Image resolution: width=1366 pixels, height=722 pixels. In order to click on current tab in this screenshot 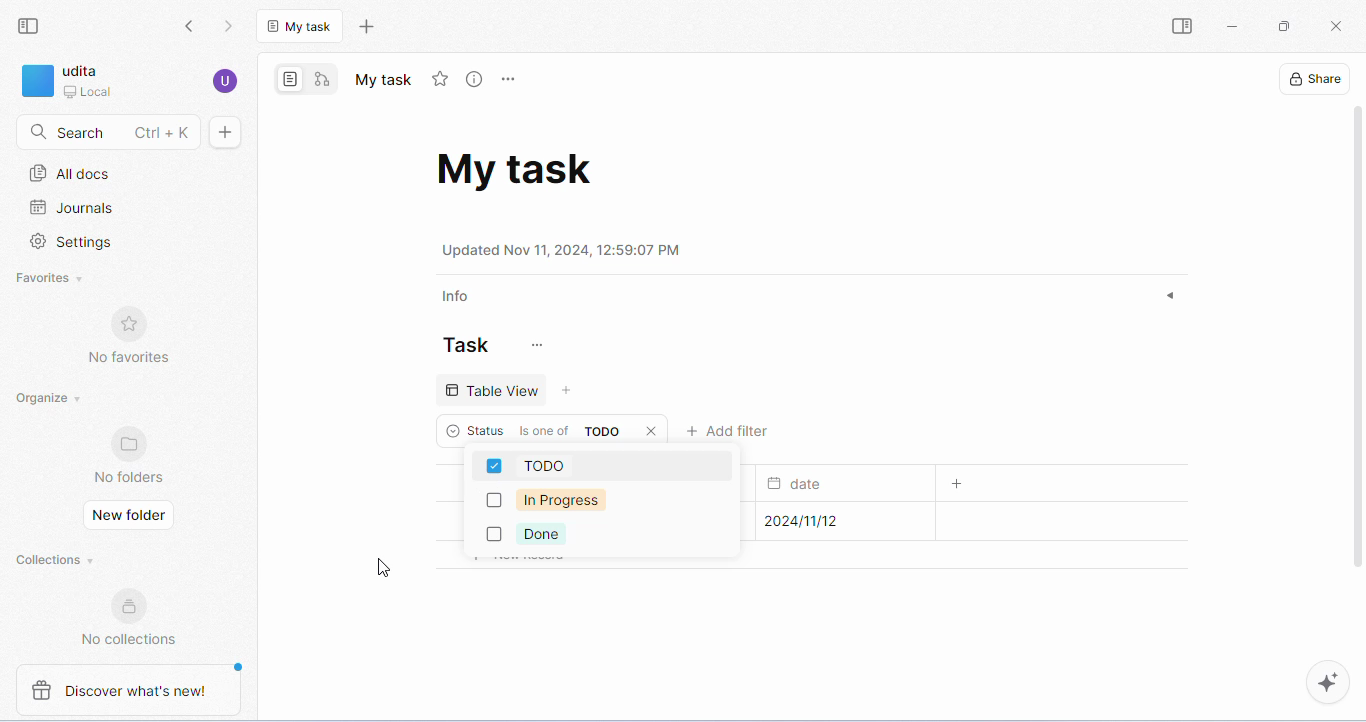, I will do `click(302, 25)`.